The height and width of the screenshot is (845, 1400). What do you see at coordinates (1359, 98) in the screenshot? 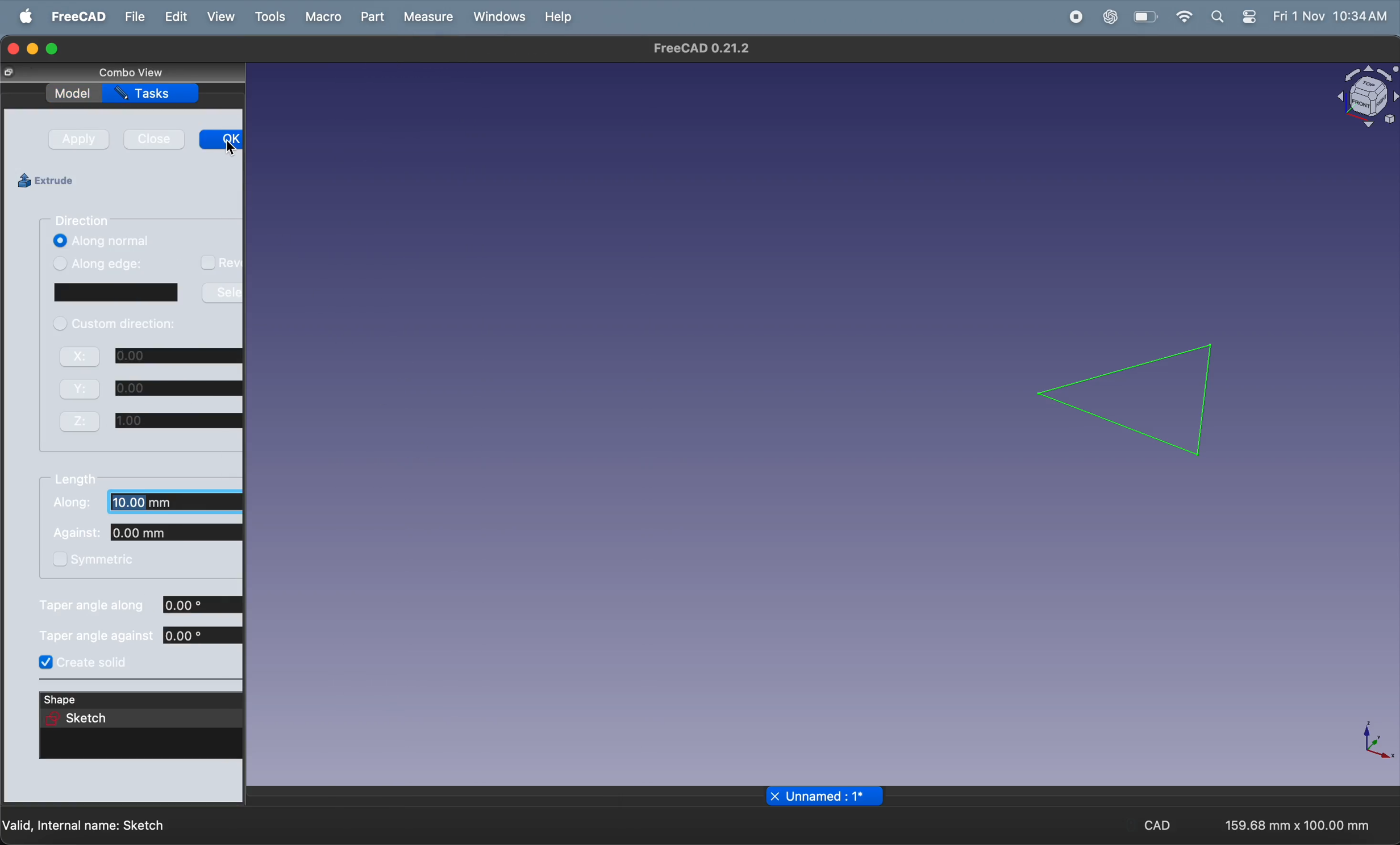
I see `object view` at bounding box center [1359, 98].